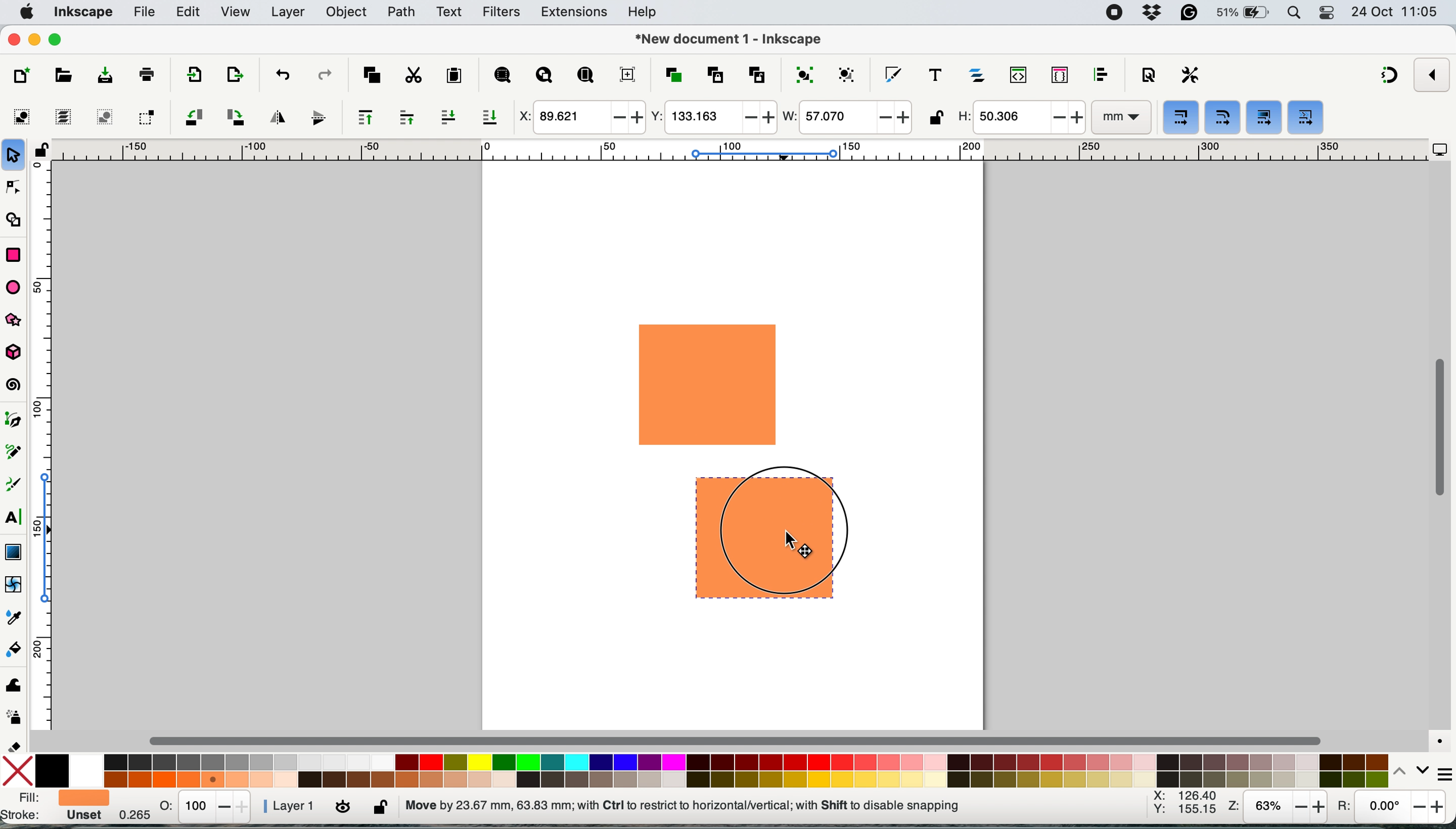 The width and height of the screenshot is (1456, 829). What do you see at coordinates (1440, 150) in the screenshot?
I see `display options` at bounding box center [1440, 150].